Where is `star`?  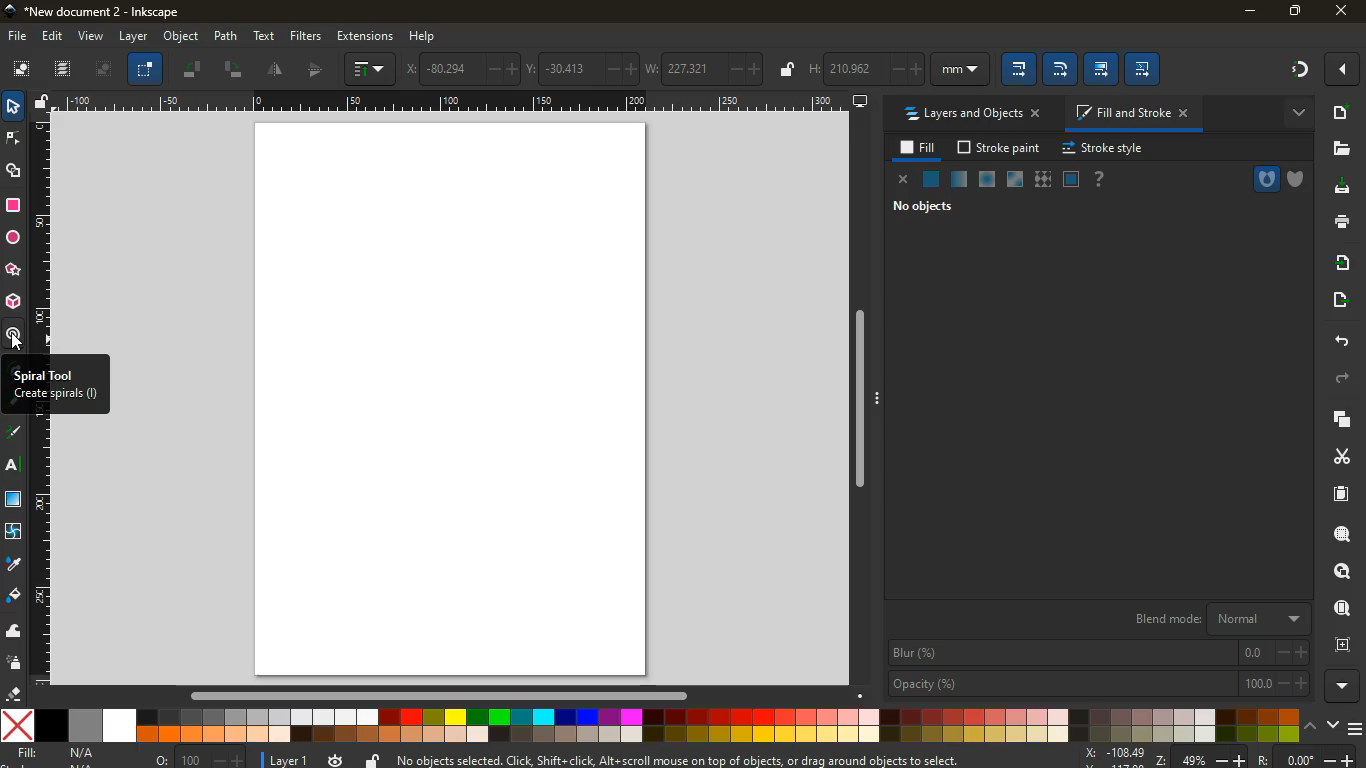
star is located at coordinates (11, 270).